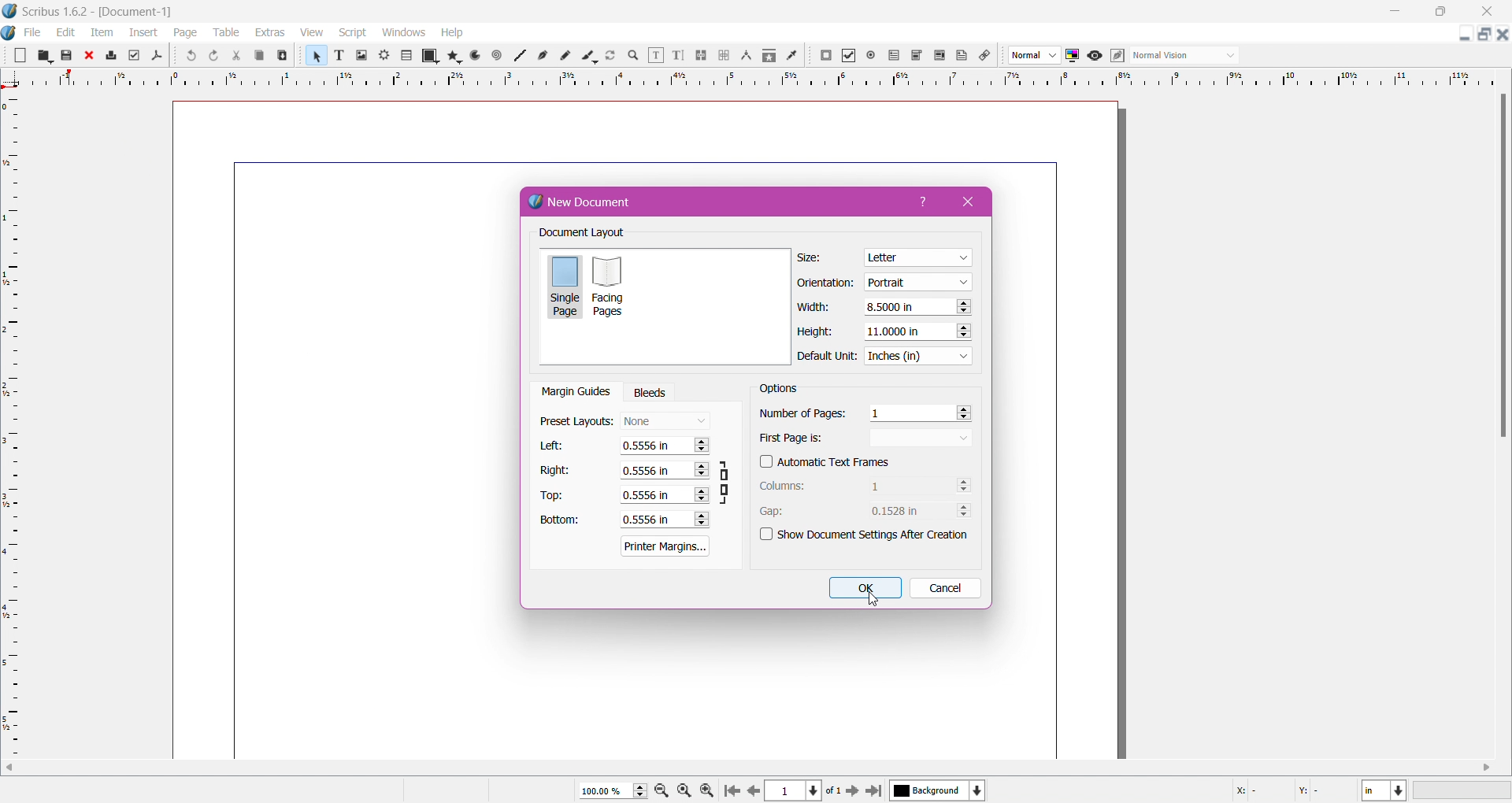 This screenshot has width=1512, height=803. What do you see at coordinates (664, 521) in the screenshot?
I see `0.5556in [3]` at bounding box center [664, 521].